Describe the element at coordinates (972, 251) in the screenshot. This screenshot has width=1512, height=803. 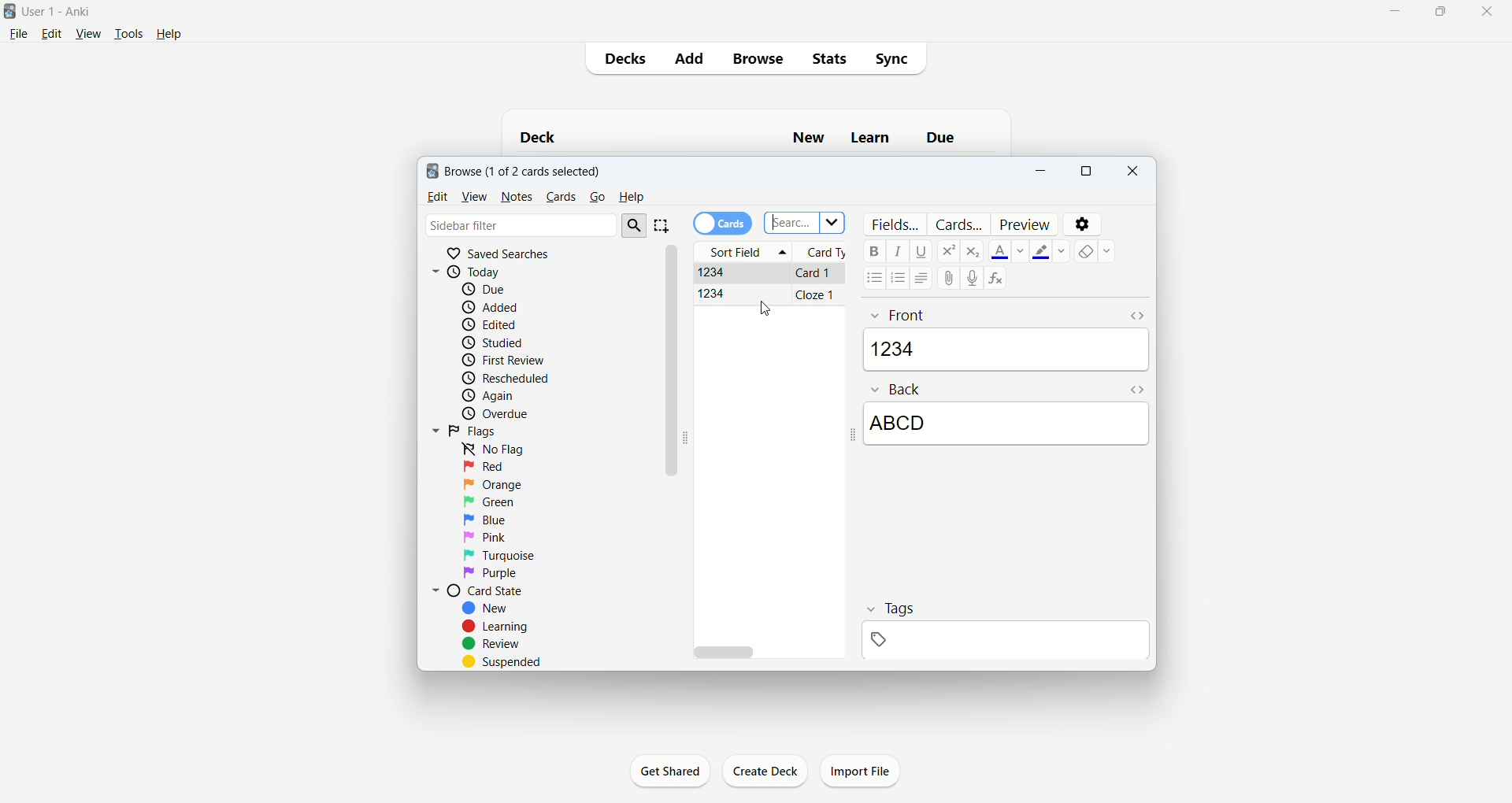
I see `subscript` at that location.